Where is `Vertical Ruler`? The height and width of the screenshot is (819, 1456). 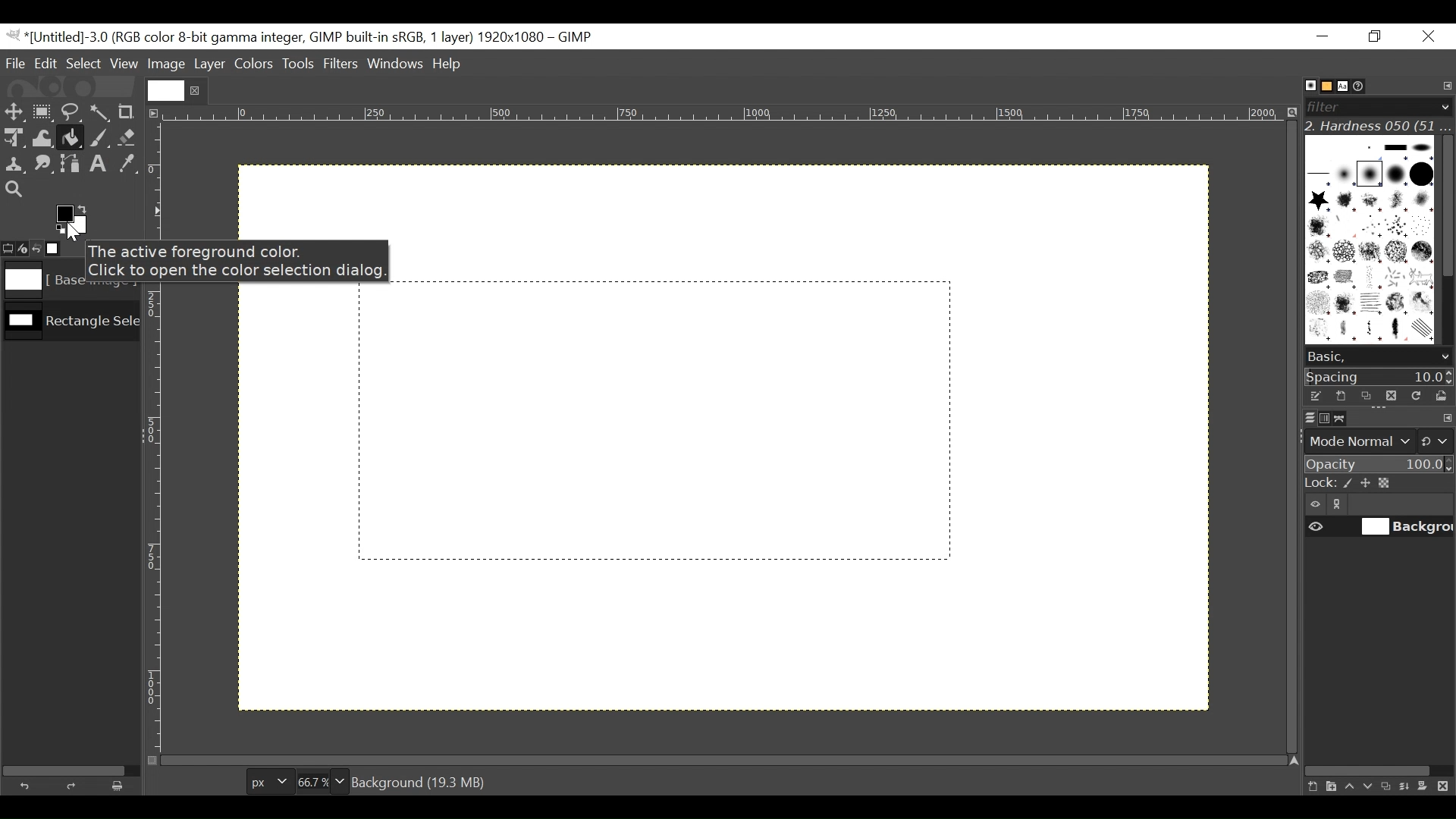
Vertical Ruler is located at coordinates (155, 438).